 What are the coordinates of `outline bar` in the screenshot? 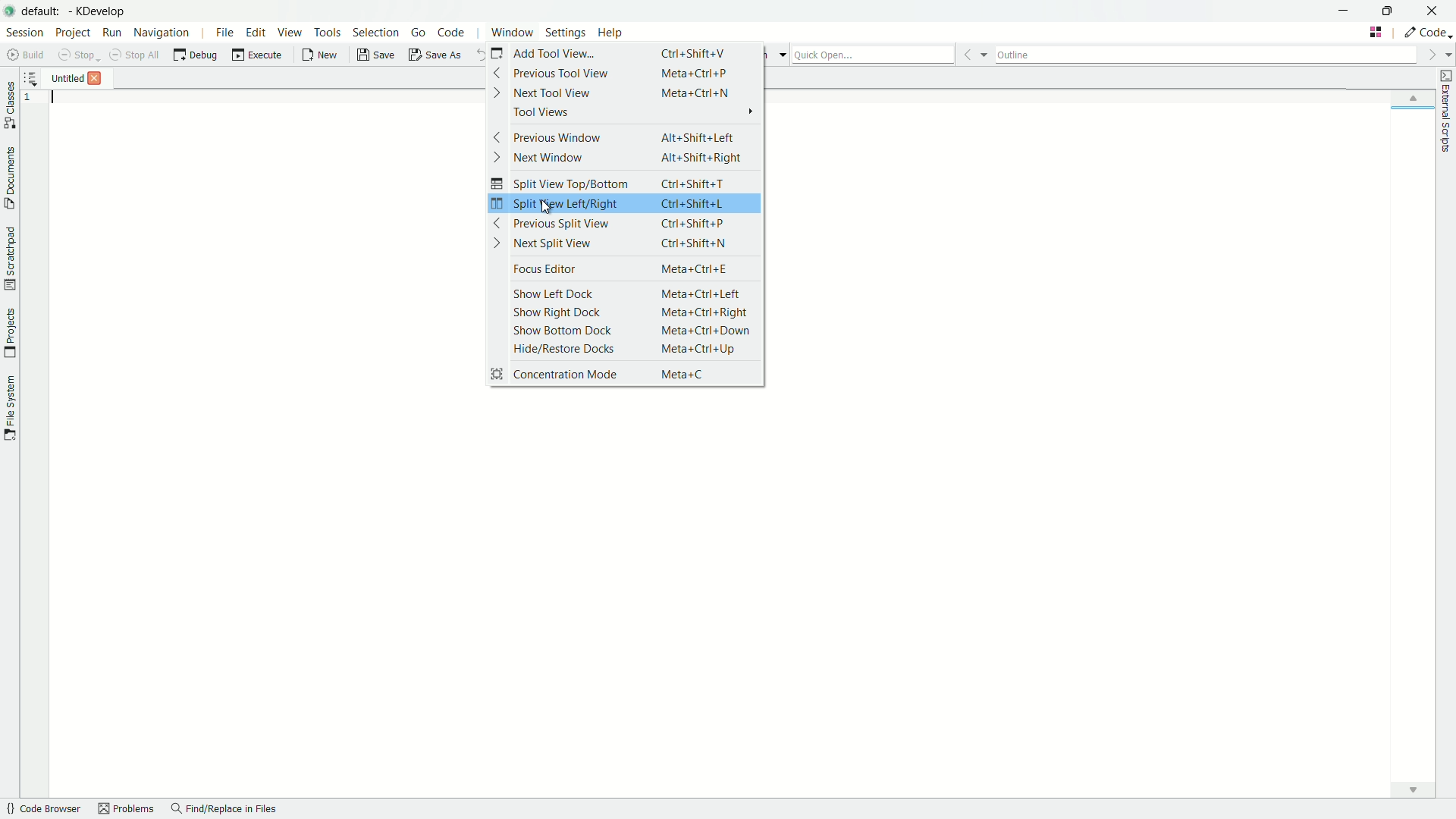 It's located at (1223, 55).